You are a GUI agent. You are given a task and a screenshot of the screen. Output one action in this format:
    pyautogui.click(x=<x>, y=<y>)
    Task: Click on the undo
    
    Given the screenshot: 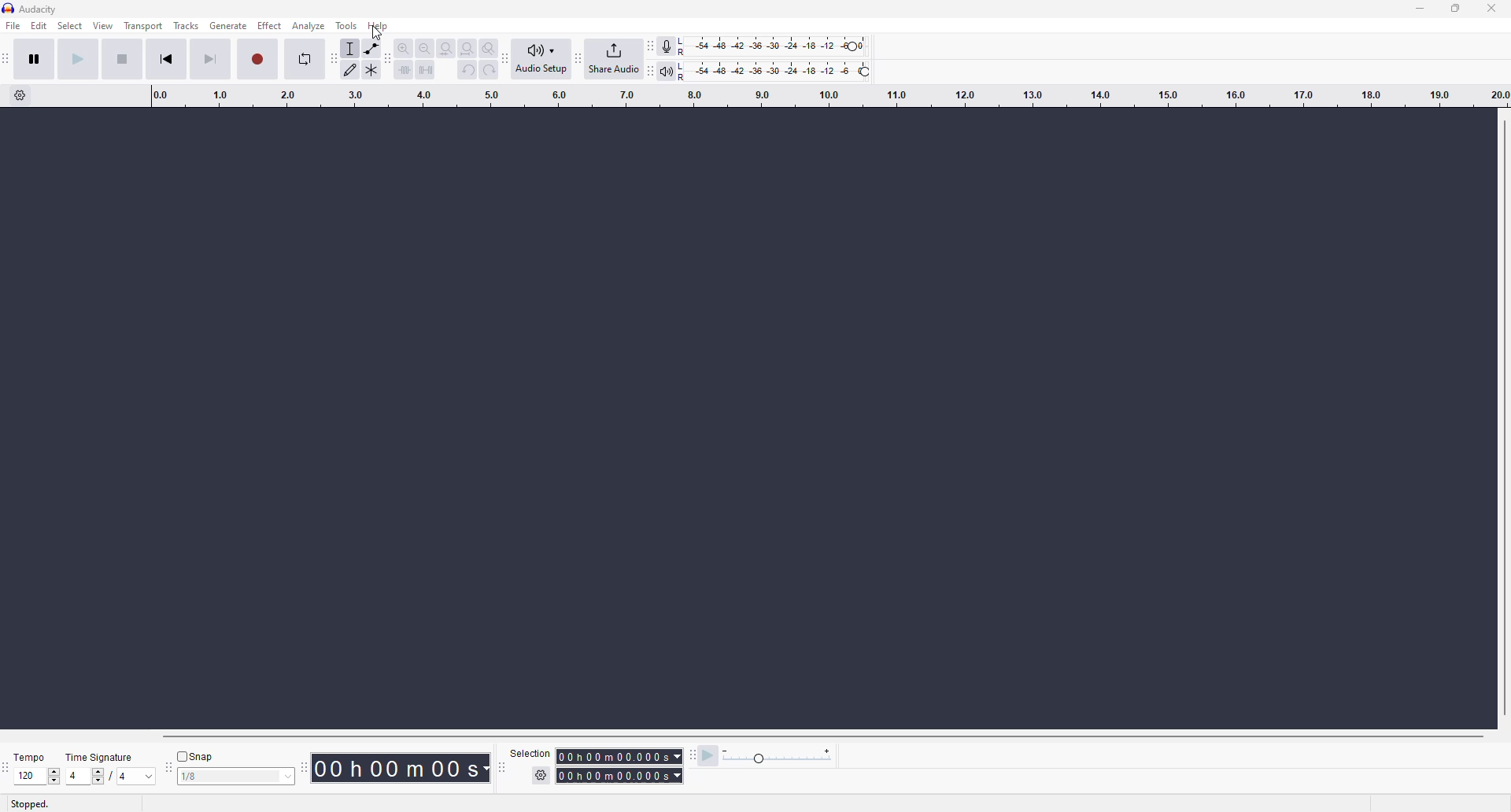 What is the action you would take?
    pyautogui.click(x=470, y=72)
    